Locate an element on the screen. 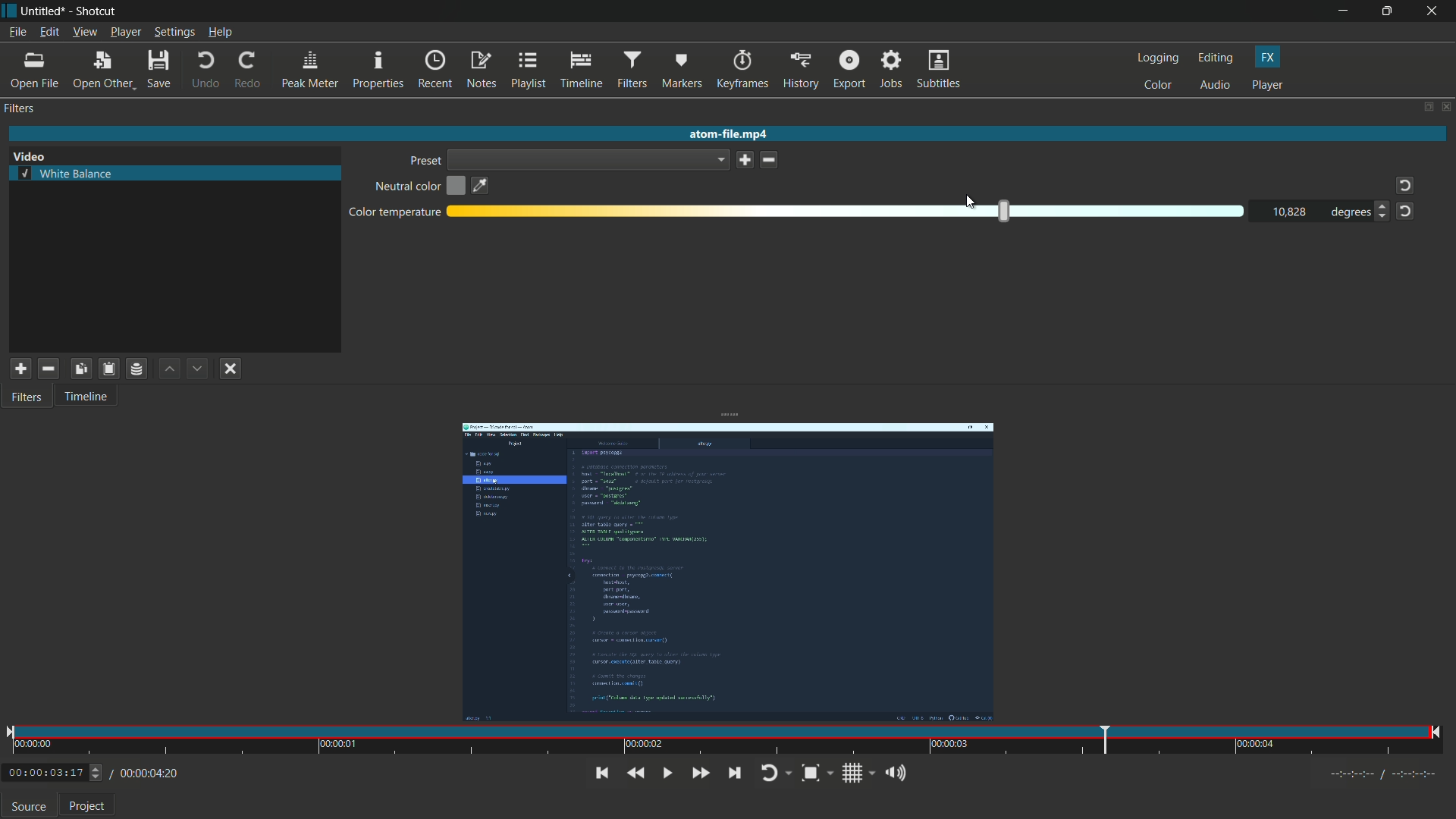  degrees is located at coordinates (1346, 212).